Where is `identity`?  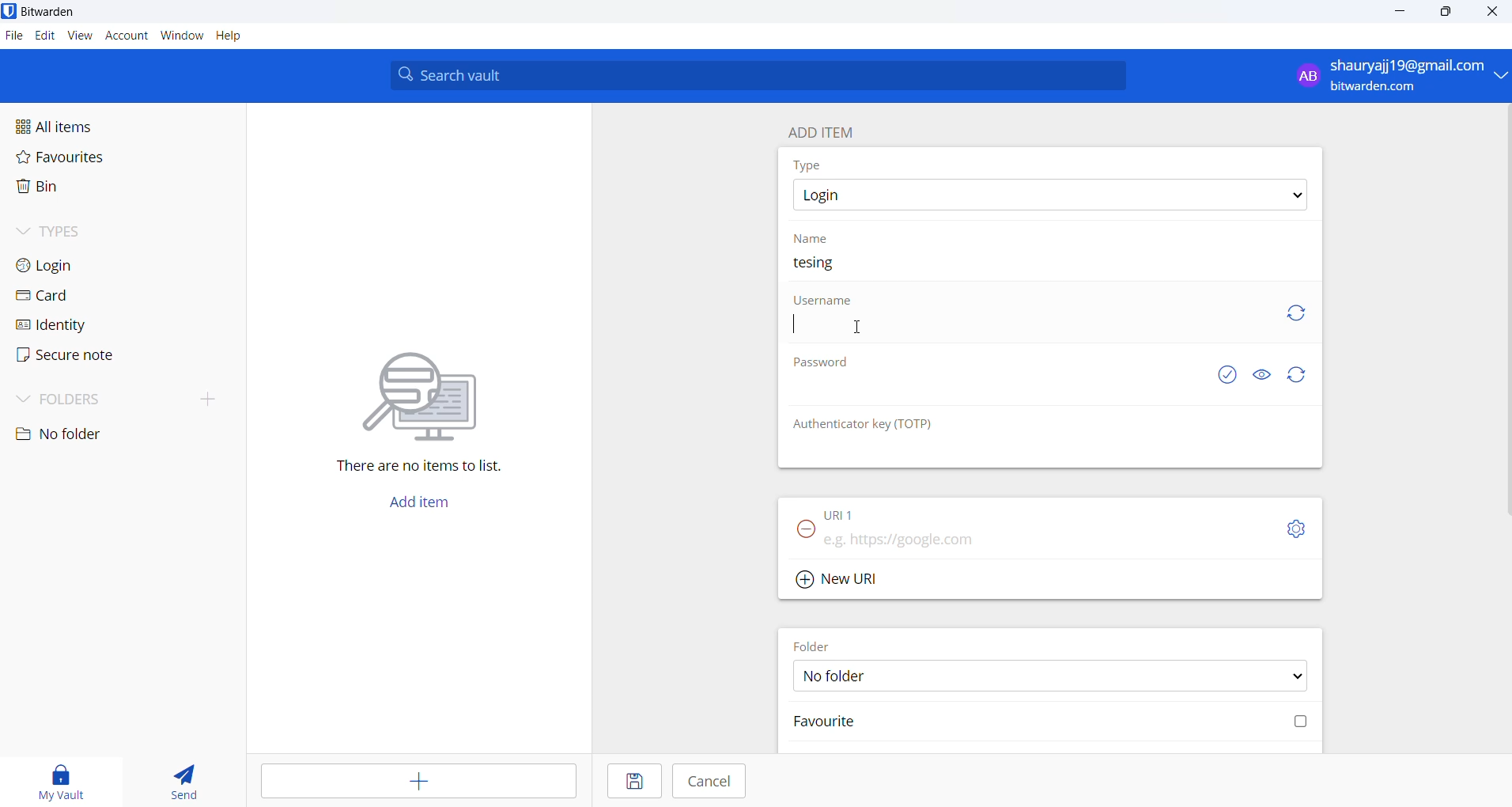
identity is located at coordinates (60, 324).